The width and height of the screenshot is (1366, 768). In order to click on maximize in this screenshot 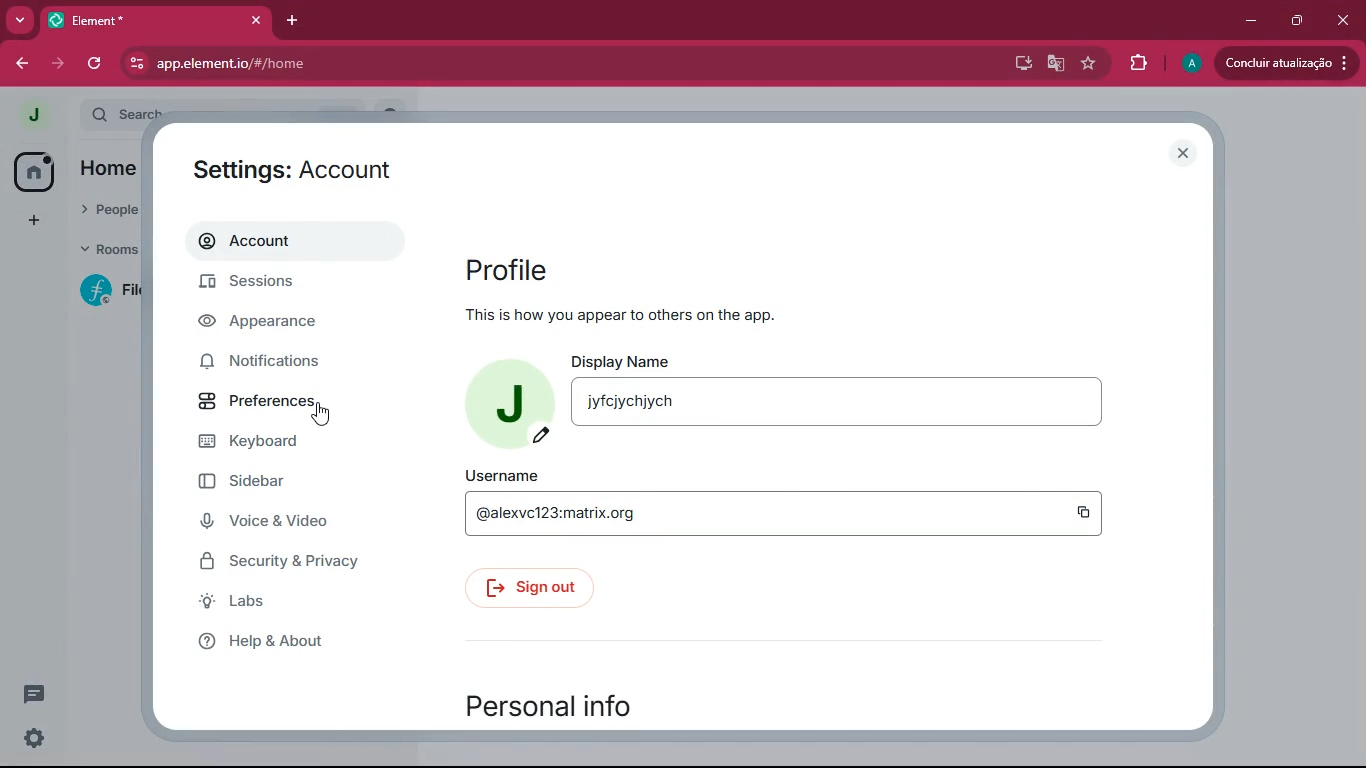, I will do `click(1293, 18)`.